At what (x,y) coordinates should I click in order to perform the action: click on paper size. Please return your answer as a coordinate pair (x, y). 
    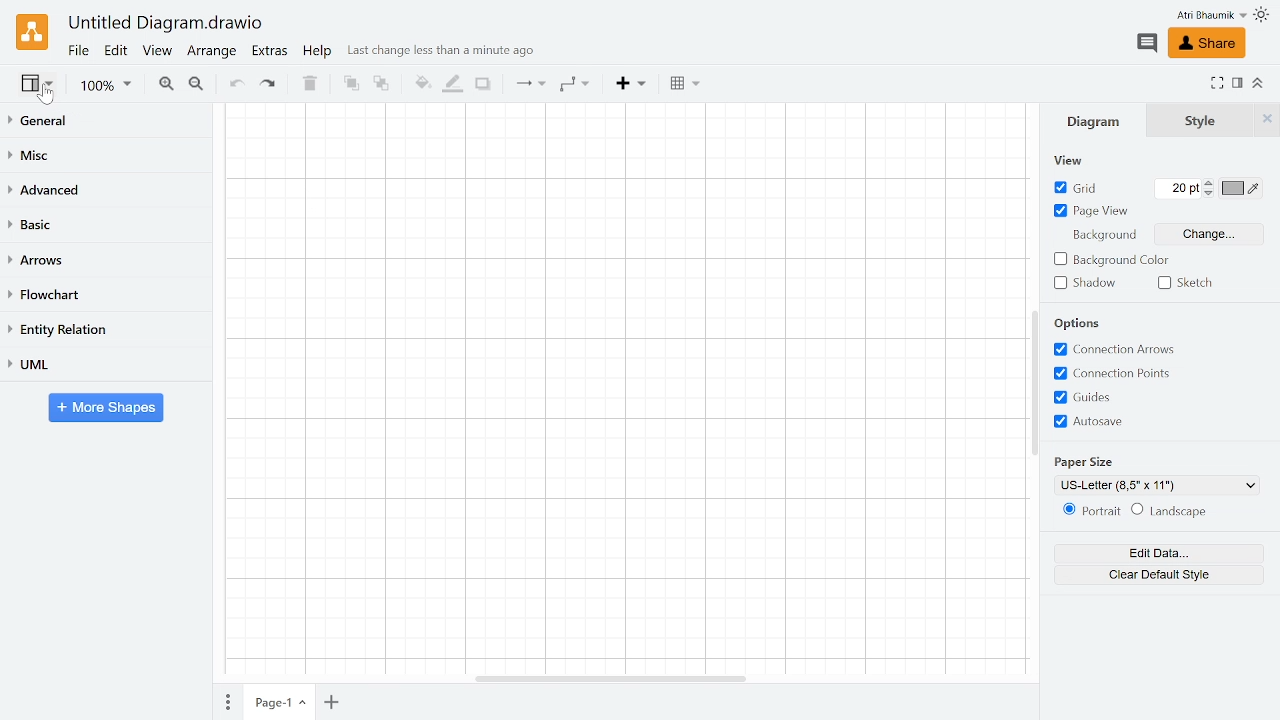
    Looking at the image, I should click on (1106, 458).